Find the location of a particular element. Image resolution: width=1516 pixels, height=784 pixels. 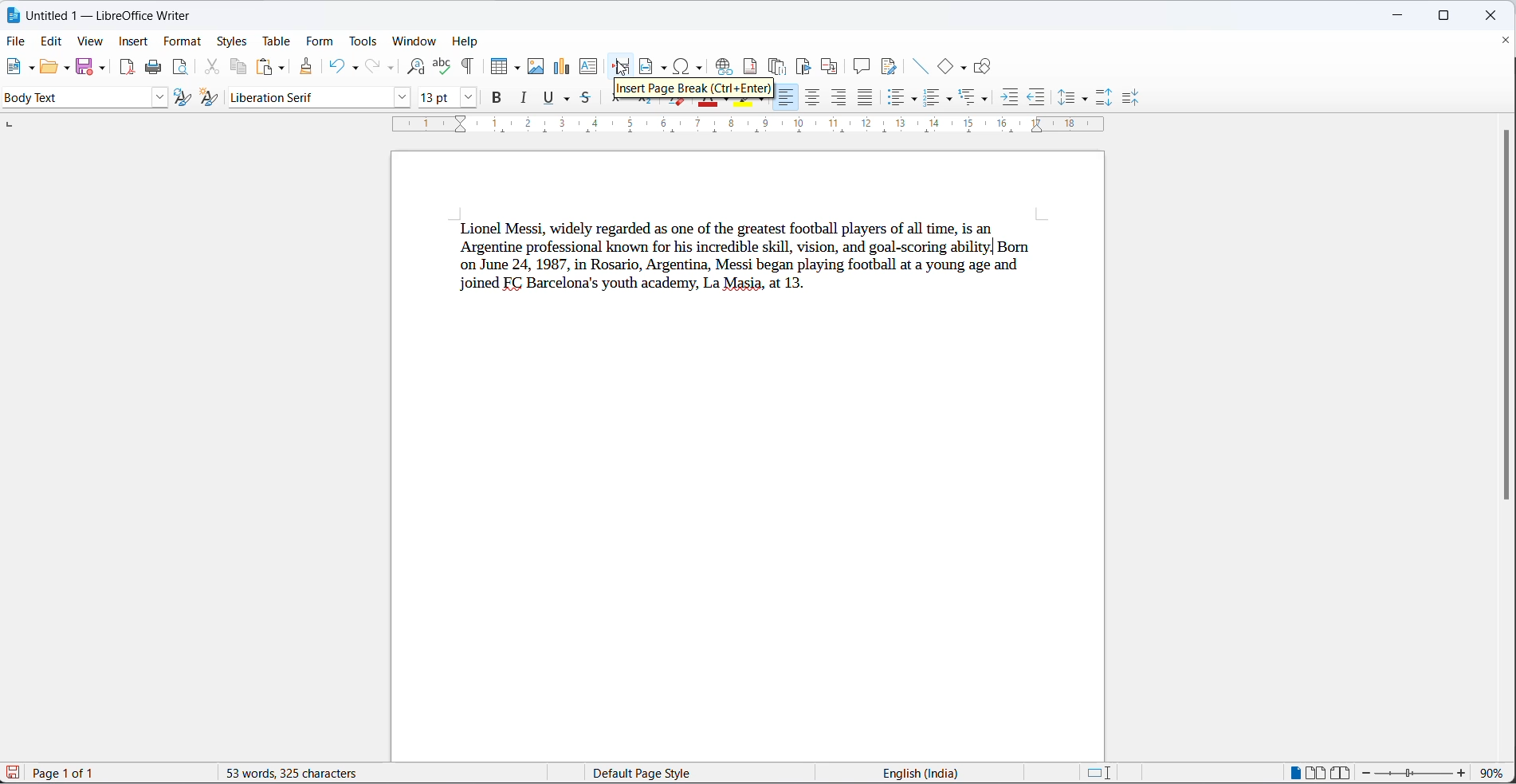

close is located at coordinates (1404, 13).